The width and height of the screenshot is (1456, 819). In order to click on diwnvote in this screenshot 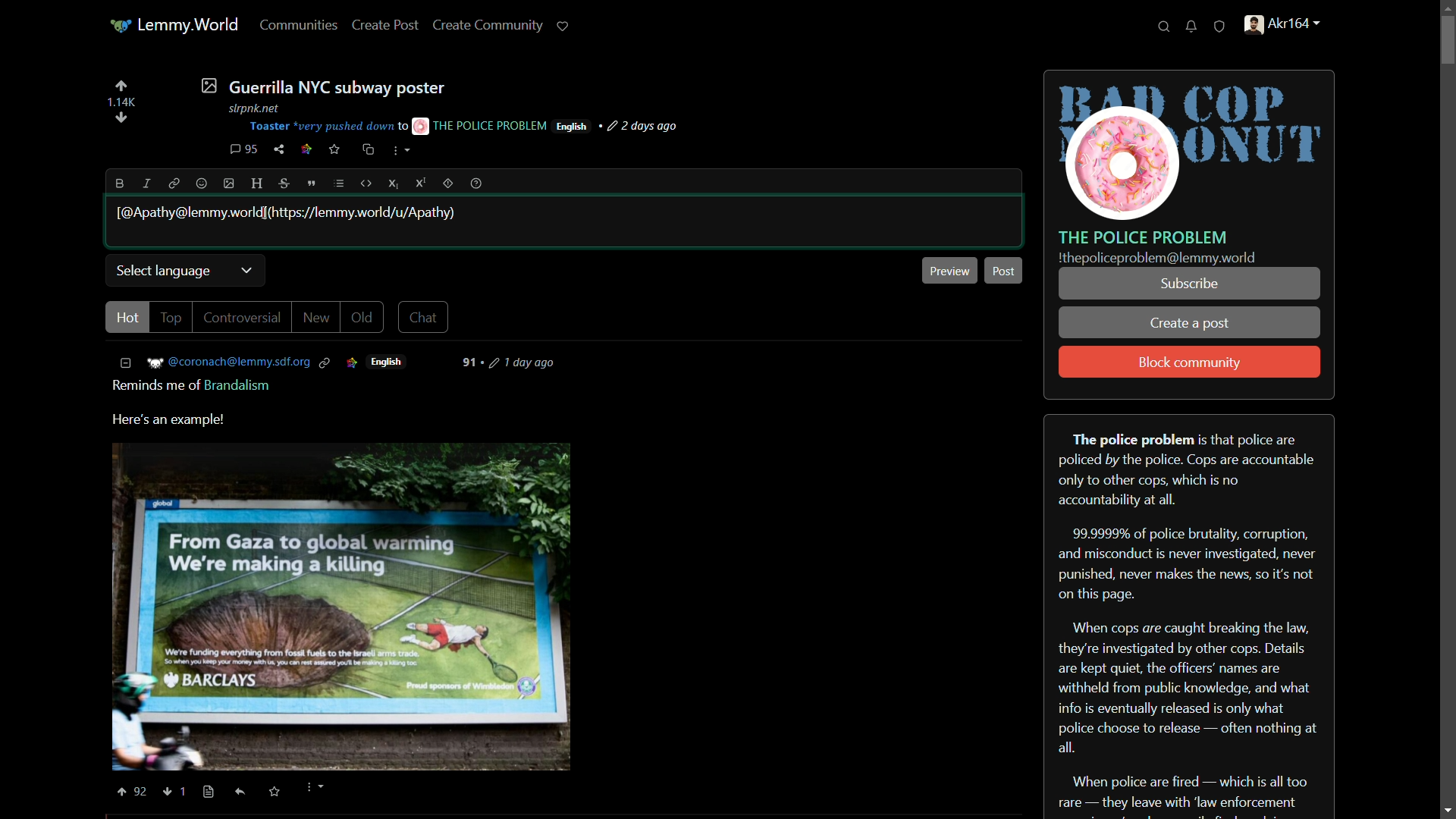, I will do `click(121, 119)`.